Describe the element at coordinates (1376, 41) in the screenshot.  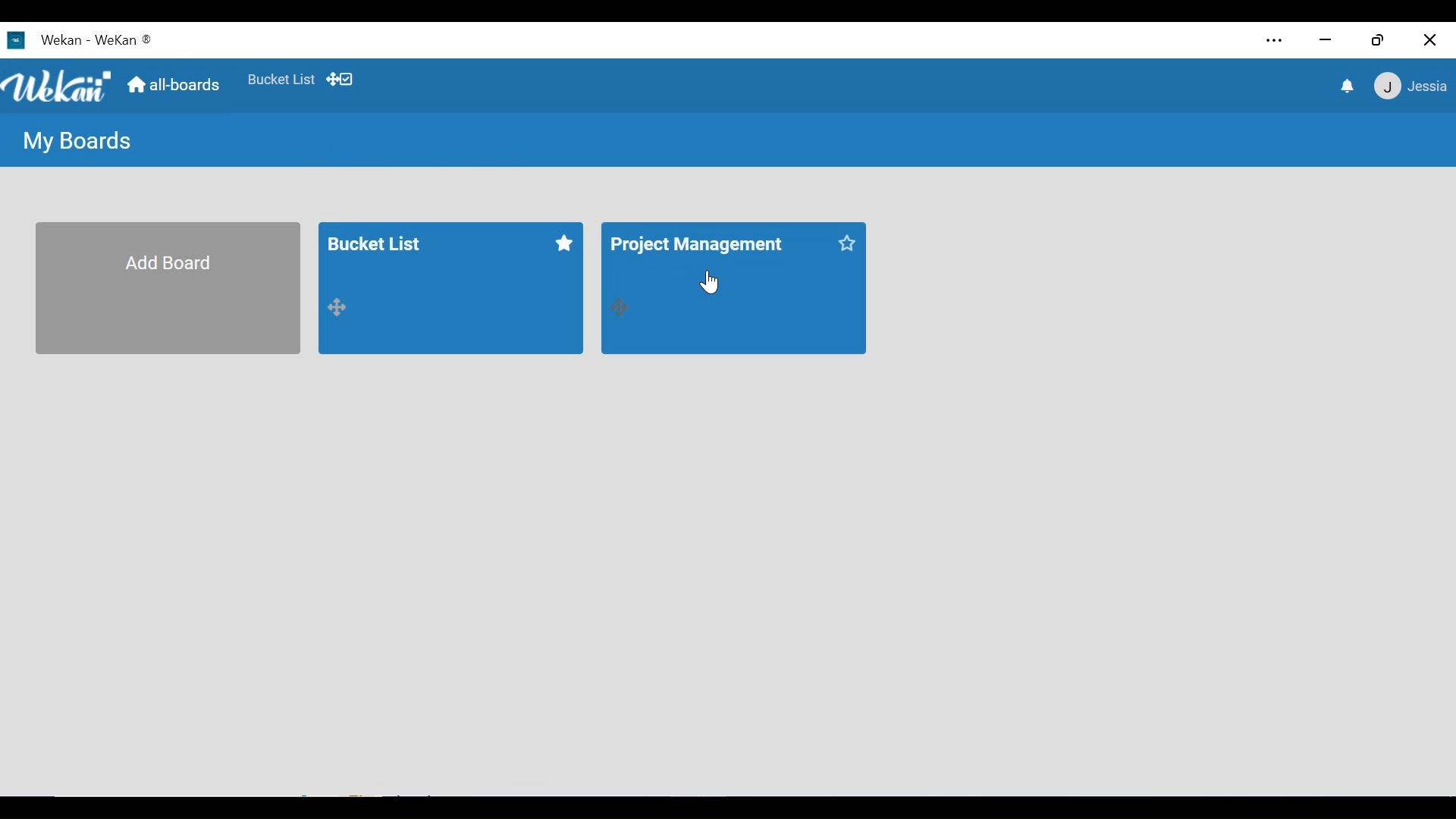
I see `Restore` at that location.